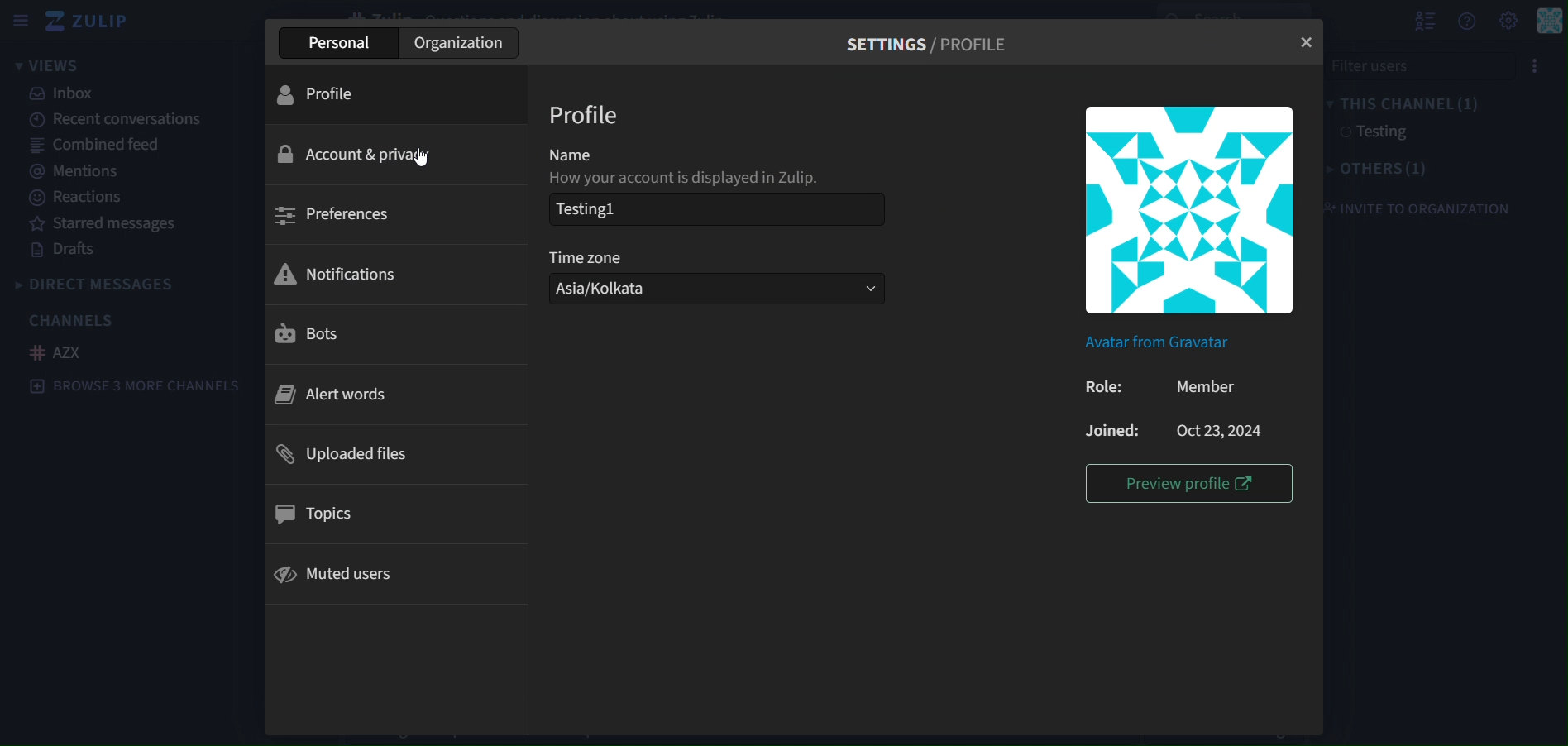  What do you see at coordinates (1371, 134) in the screenshot?
I see `testing` at bounding box center [1371, 134].